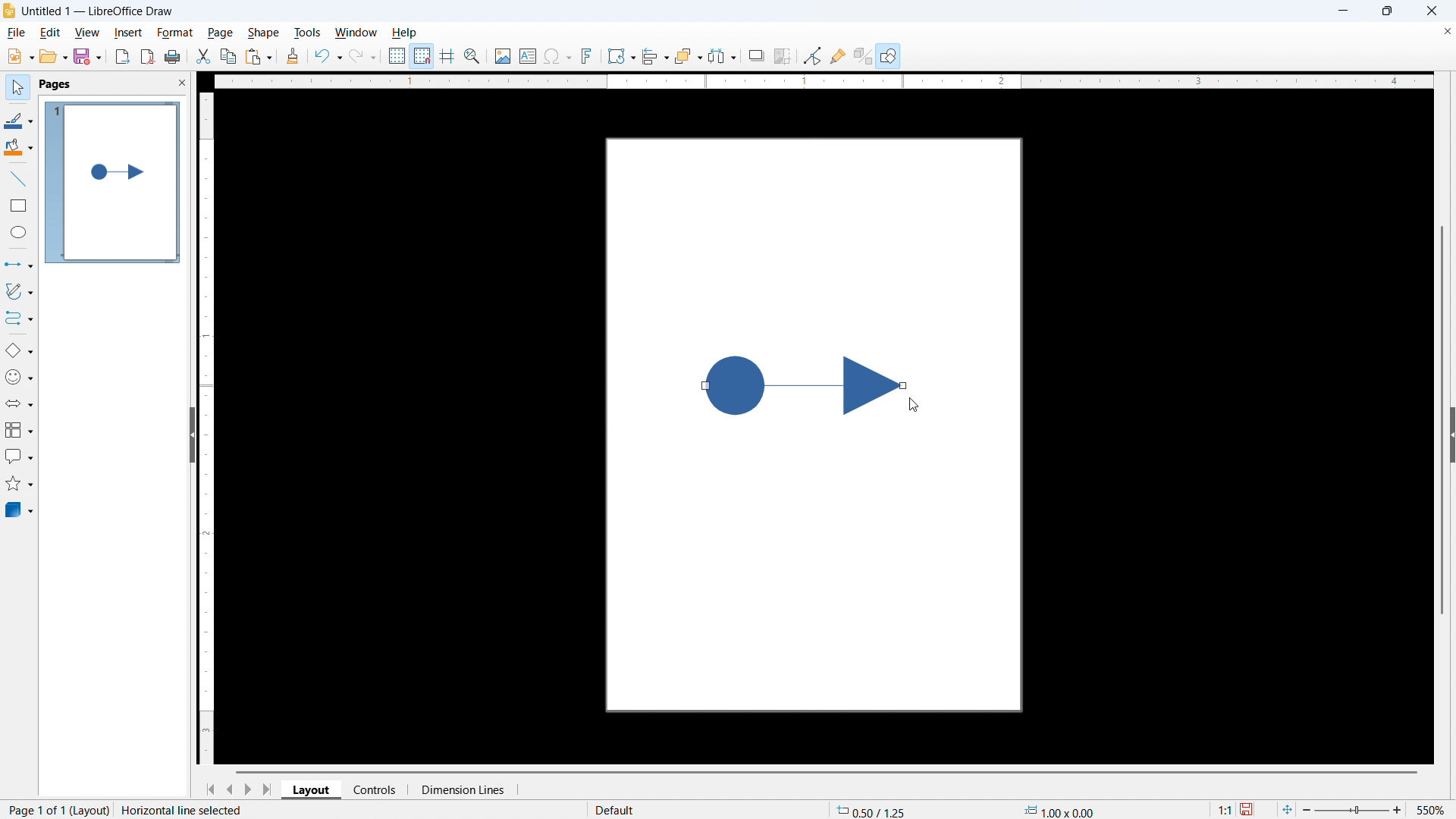 The image size is (1456, 819). I want to click on Toggle point edit mode , so click(813, 55).